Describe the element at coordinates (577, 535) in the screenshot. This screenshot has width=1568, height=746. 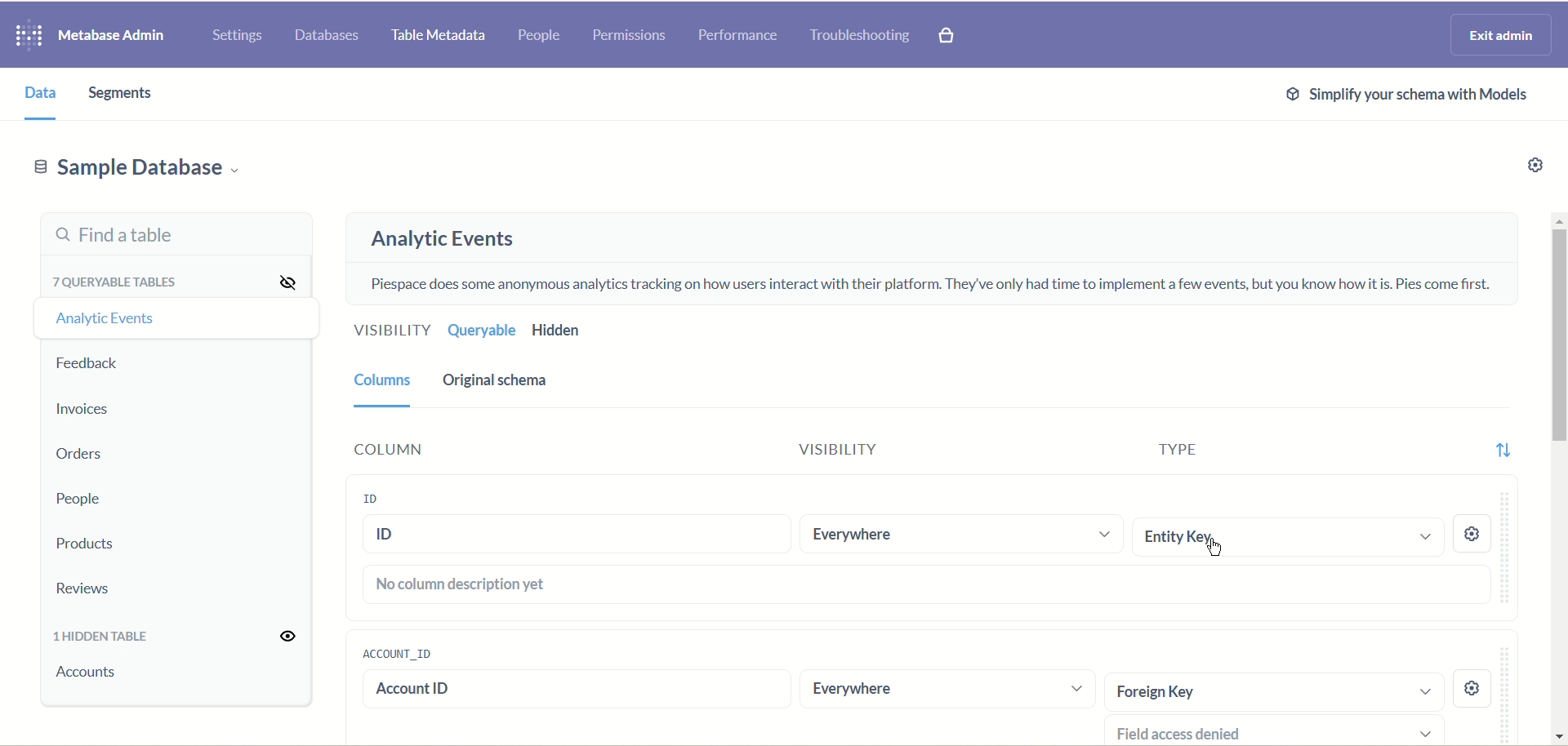
I see `ID` at that location.